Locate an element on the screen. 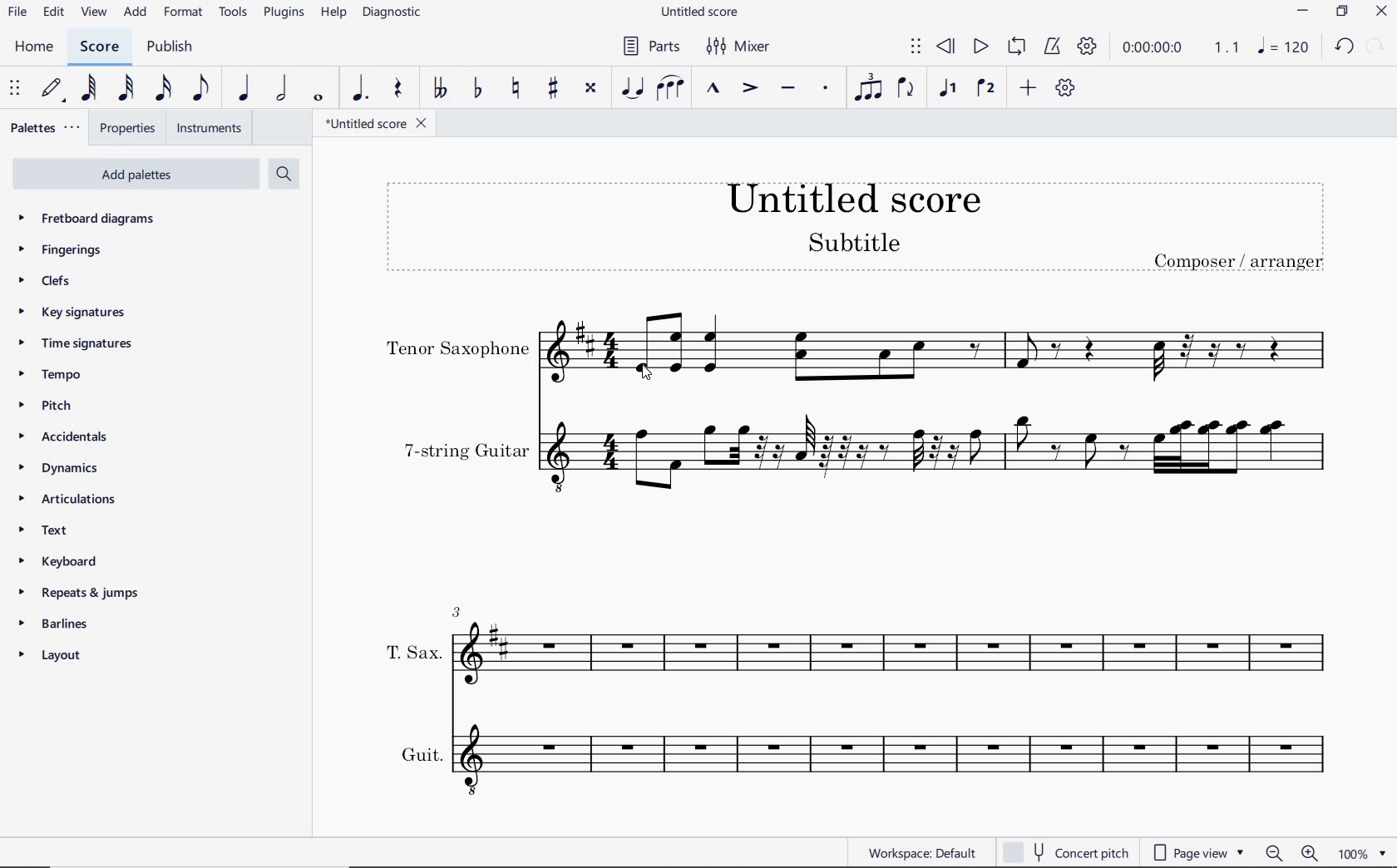 The width and height of the screenshot is (1397, 868). TOGGLE NATURAL is located at coordinates (516, 88).